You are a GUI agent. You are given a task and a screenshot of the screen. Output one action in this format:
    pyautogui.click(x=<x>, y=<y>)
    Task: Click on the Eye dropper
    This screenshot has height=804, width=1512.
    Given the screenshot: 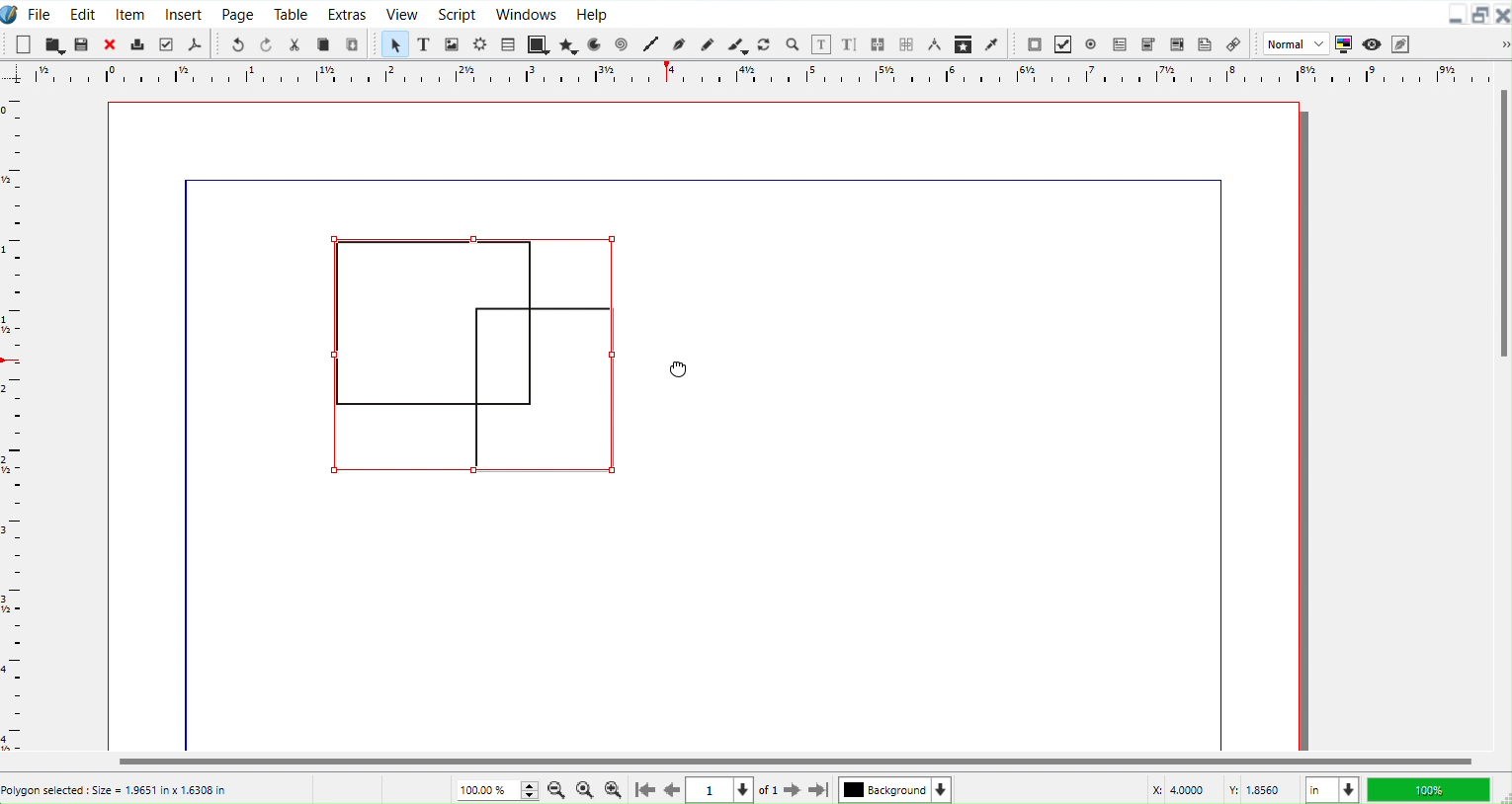 What is the action you would take?
    pyautogui.click(x=992, y=43)
    